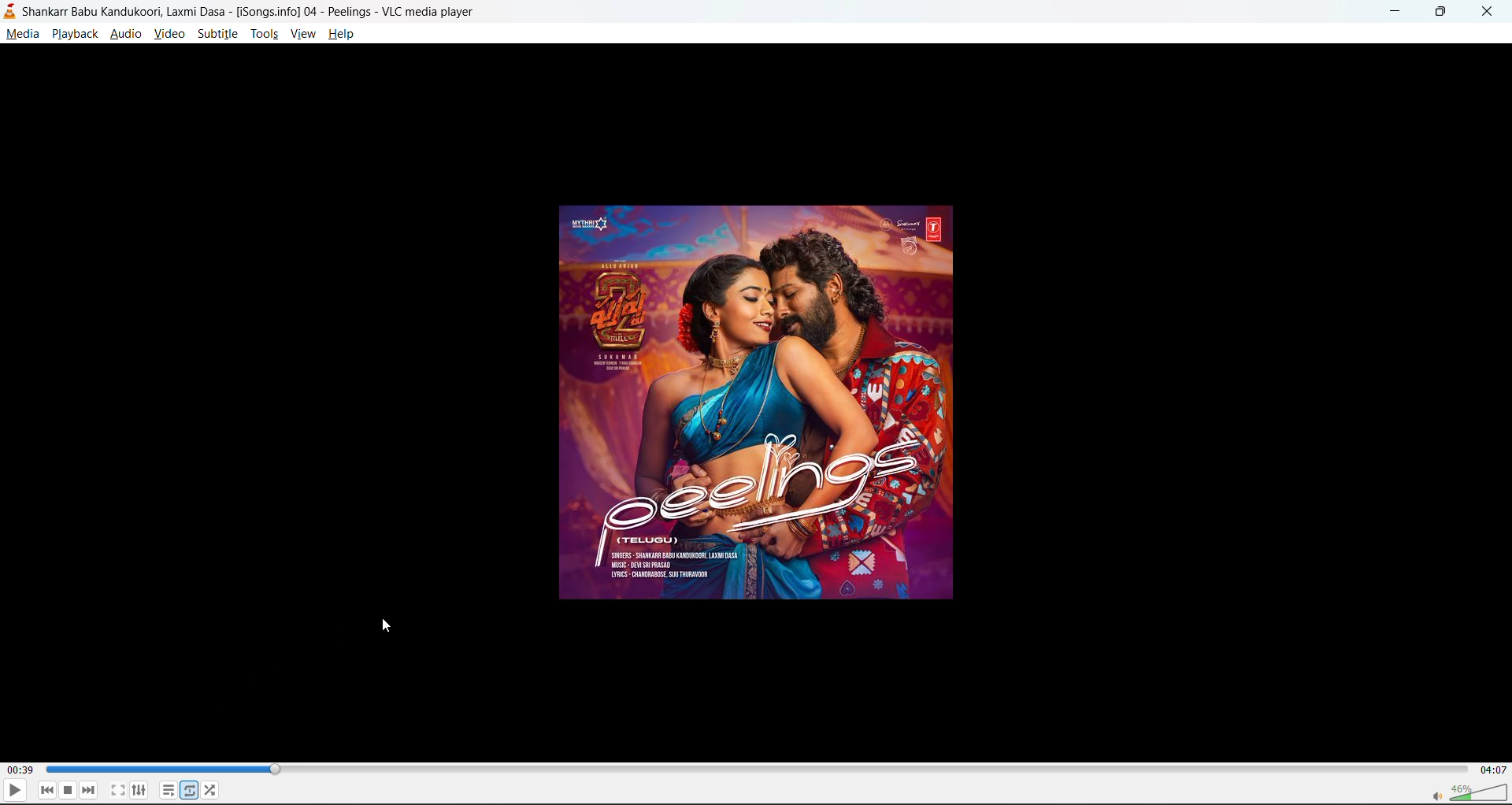 The image size is (1512, 805). I want to click on media, so click(22, 35).